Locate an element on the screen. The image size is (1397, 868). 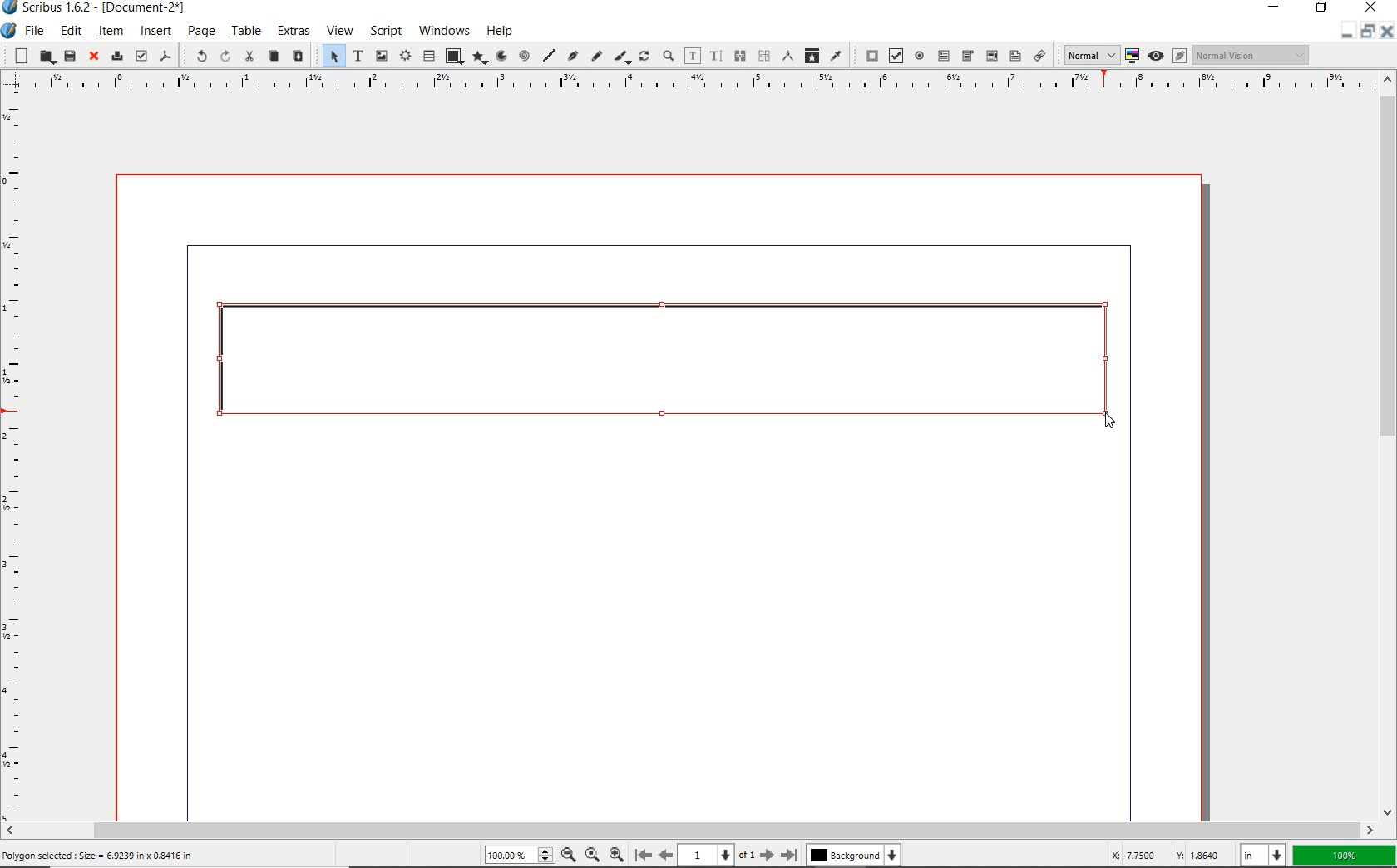
save as pdf is located at coordinates (166, 57).